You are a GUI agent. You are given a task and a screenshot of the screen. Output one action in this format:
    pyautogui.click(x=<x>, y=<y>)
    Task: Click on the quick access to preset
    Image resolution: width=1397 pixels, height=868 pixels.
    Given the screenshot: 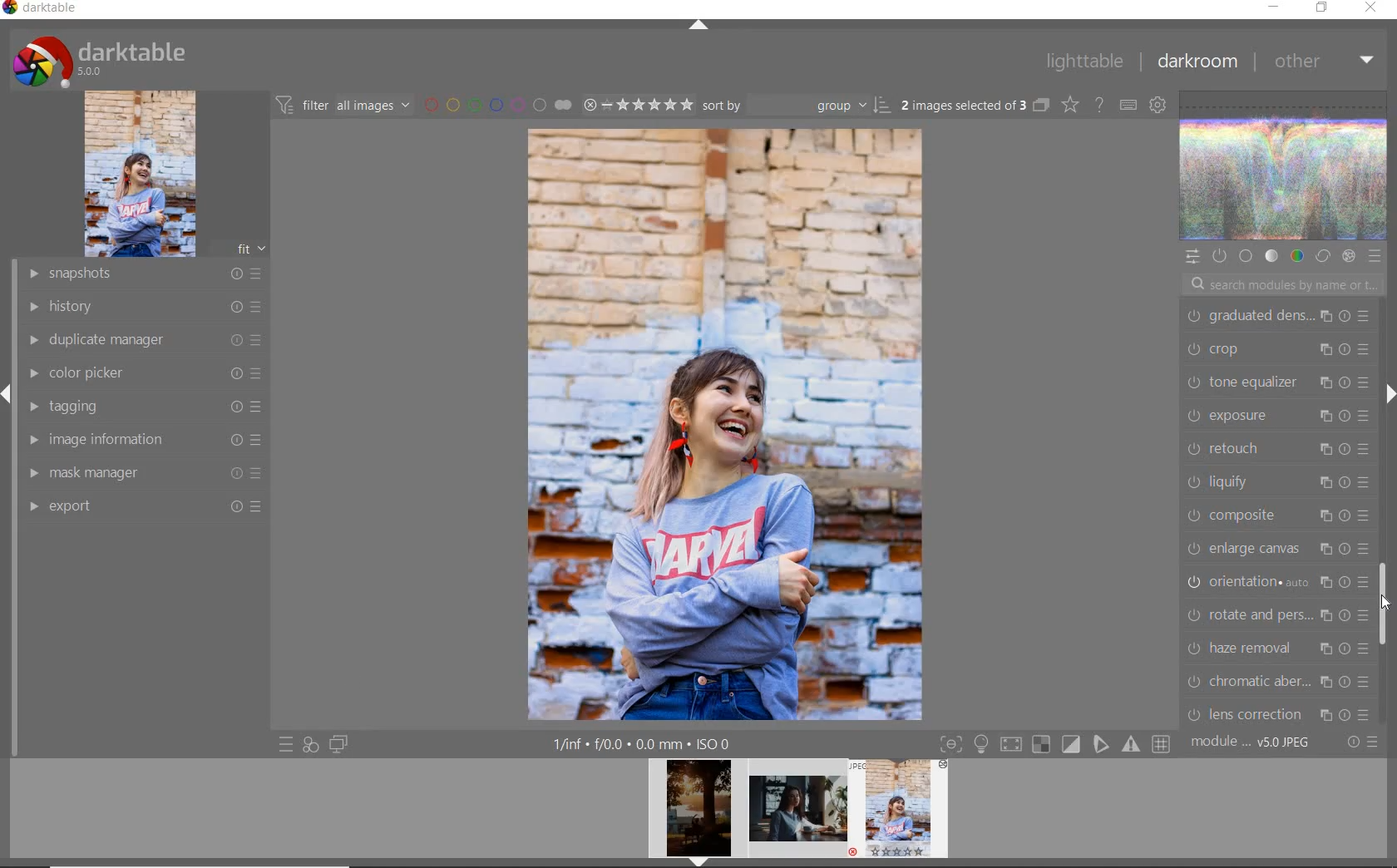 What is the action you would take?
    pyautogui.click(x=287, y=745)
    